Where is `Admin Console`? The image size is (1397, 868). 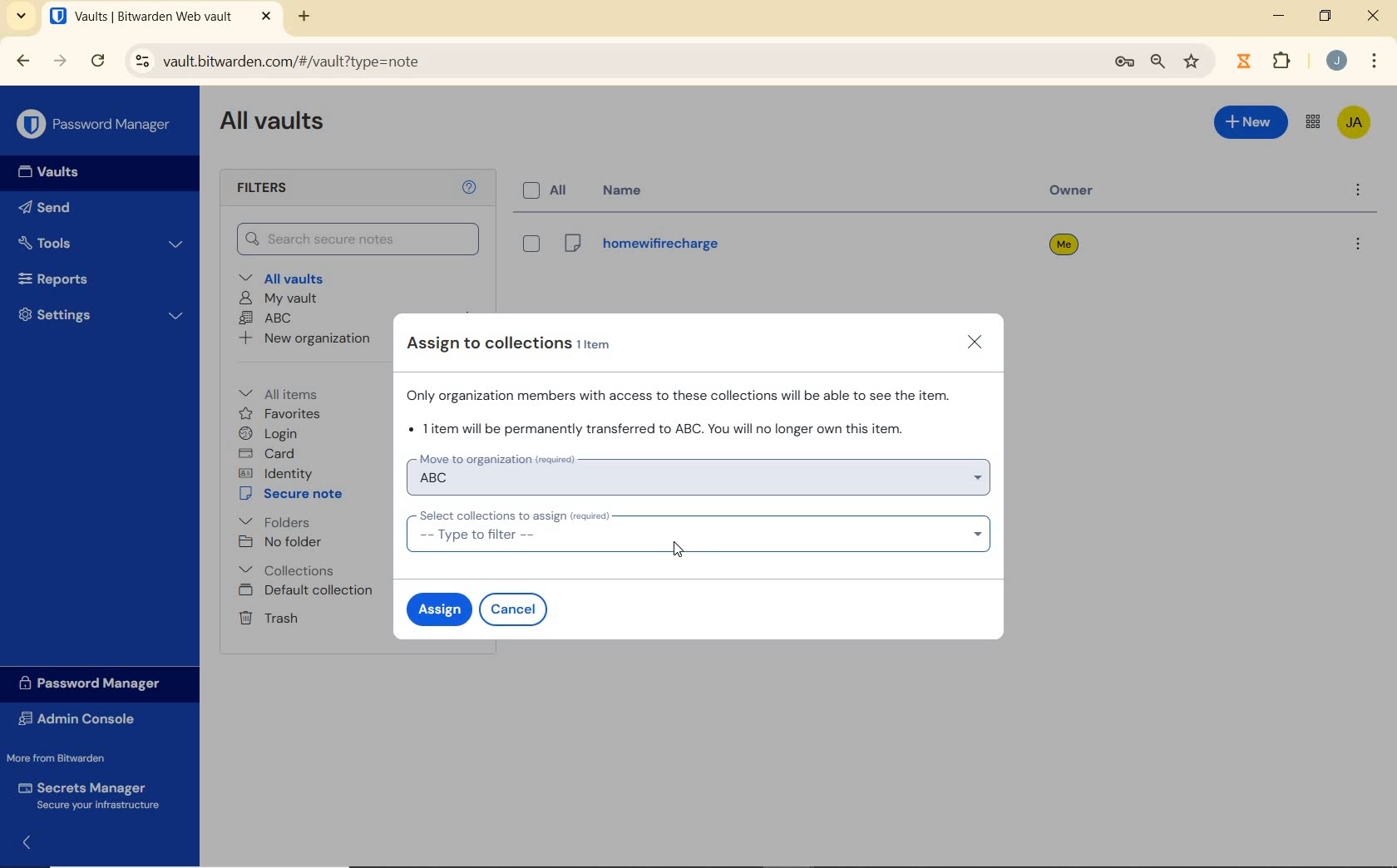
Admin Console is located at coordinates (86, 718).